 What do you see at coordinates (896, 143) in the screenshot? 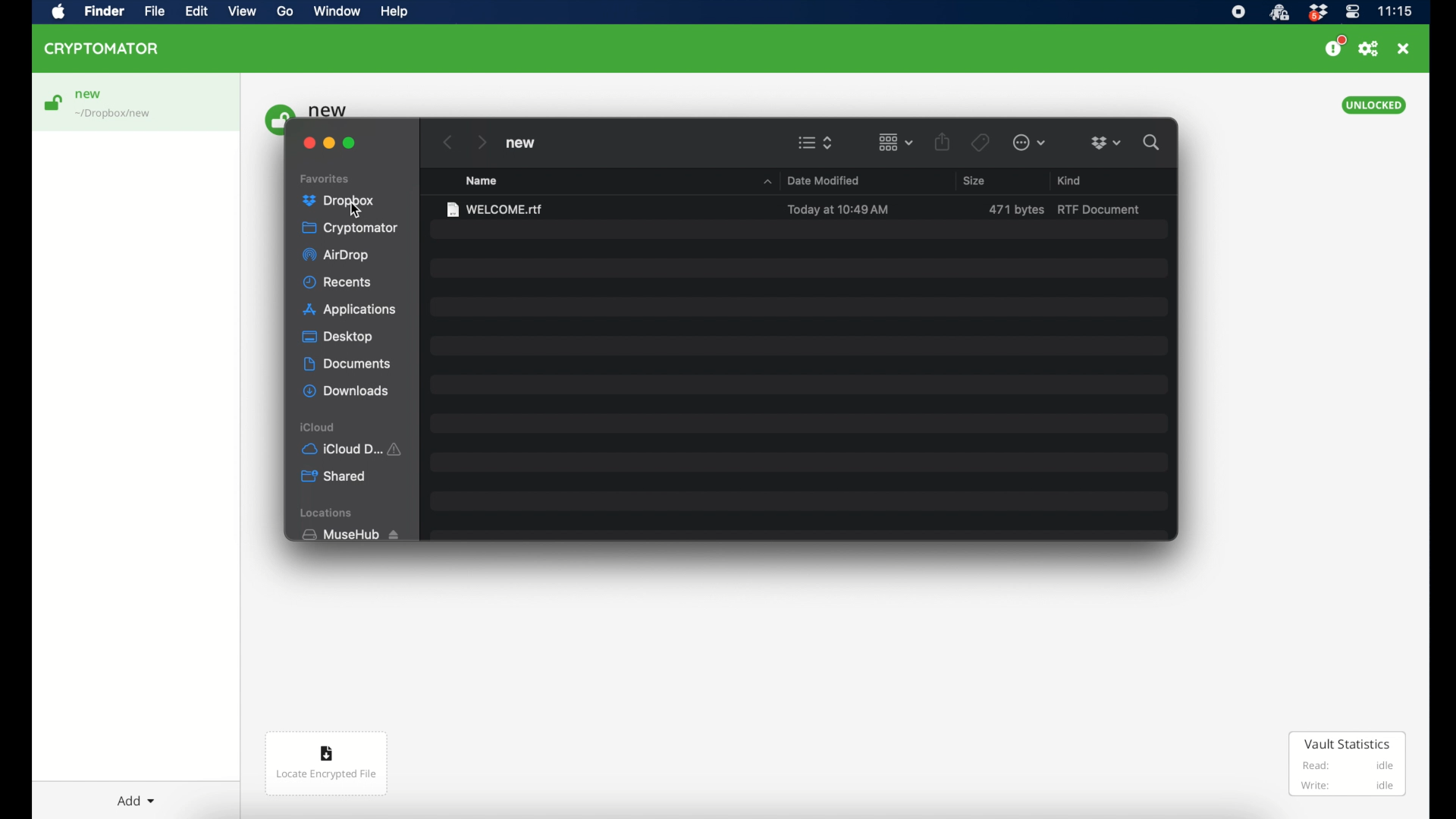
I see `change item grouping` at bounding box center [896, 143].